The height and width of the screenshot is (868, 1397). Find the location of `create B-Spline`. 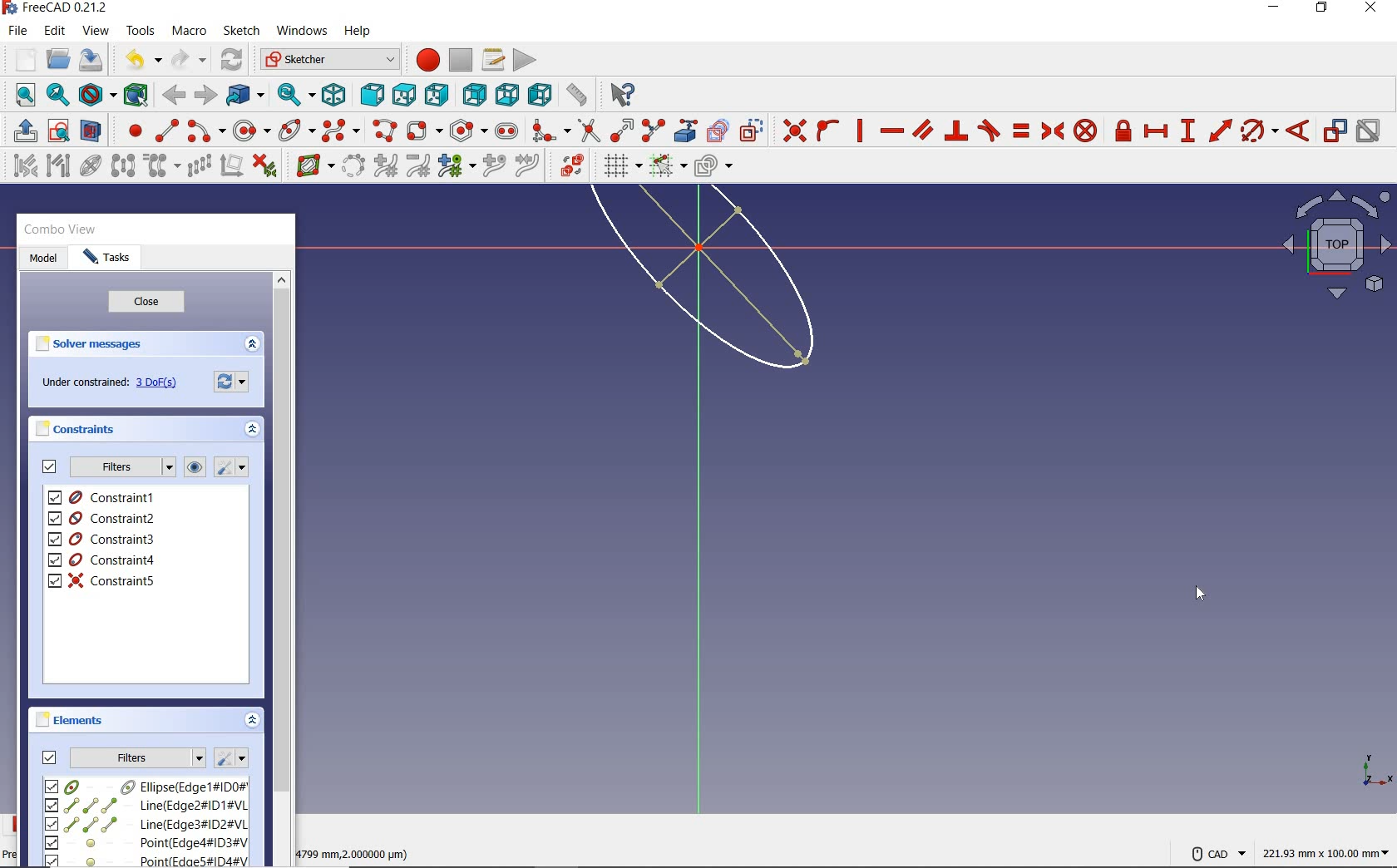

create B-Spline is located at coordinates (340, 130).